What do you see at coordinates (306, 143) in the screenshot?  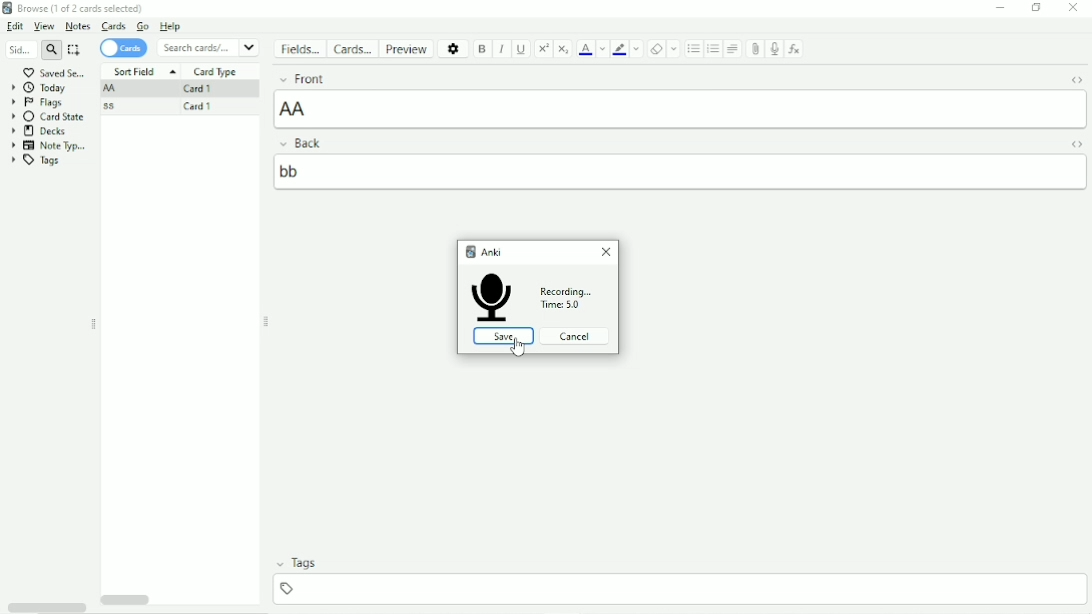 I see `Back` at bounding box center [306, 143].